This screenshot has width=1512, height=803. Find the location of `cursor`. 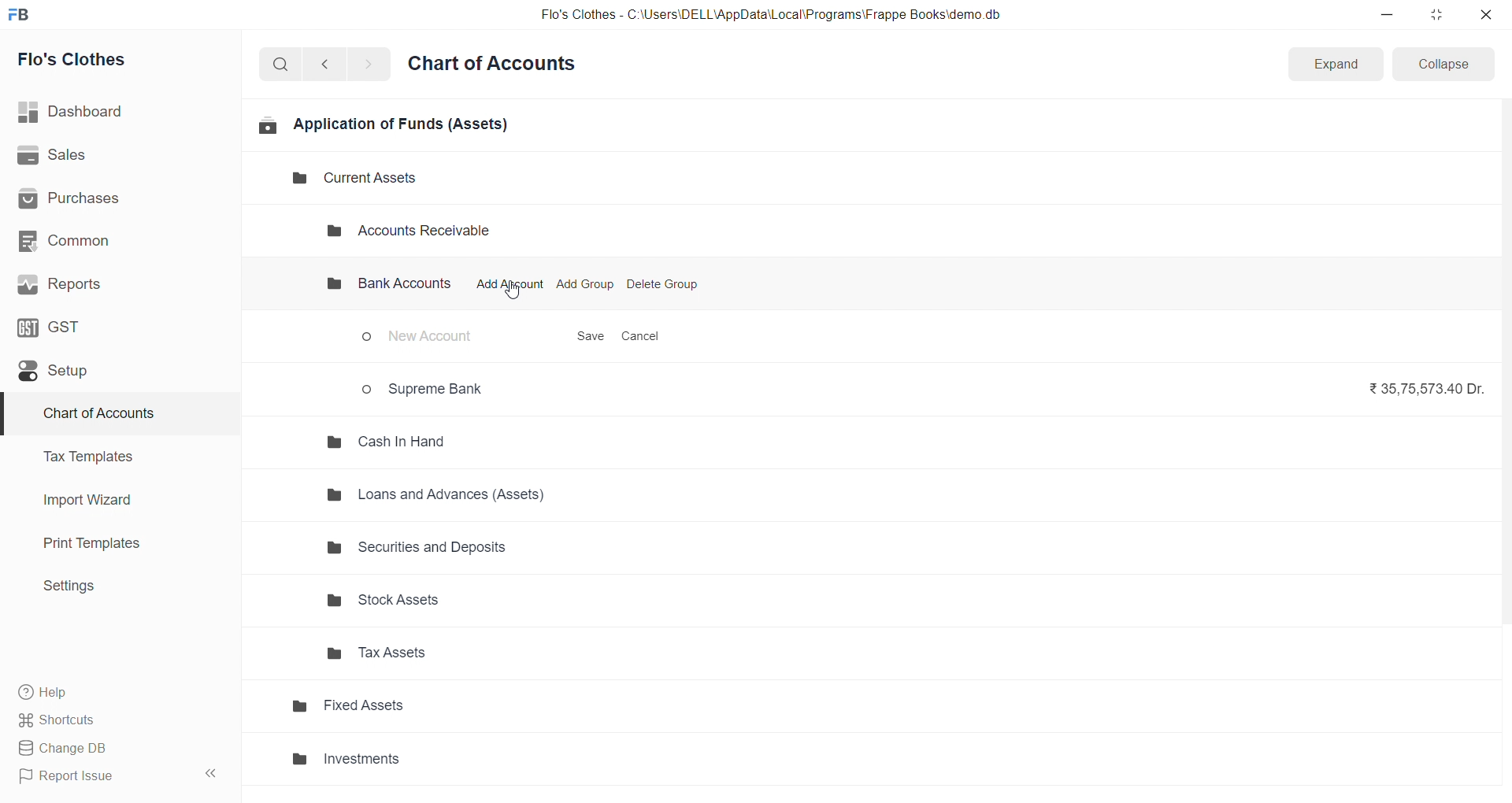

cursor is located at coordinates (511, 293).